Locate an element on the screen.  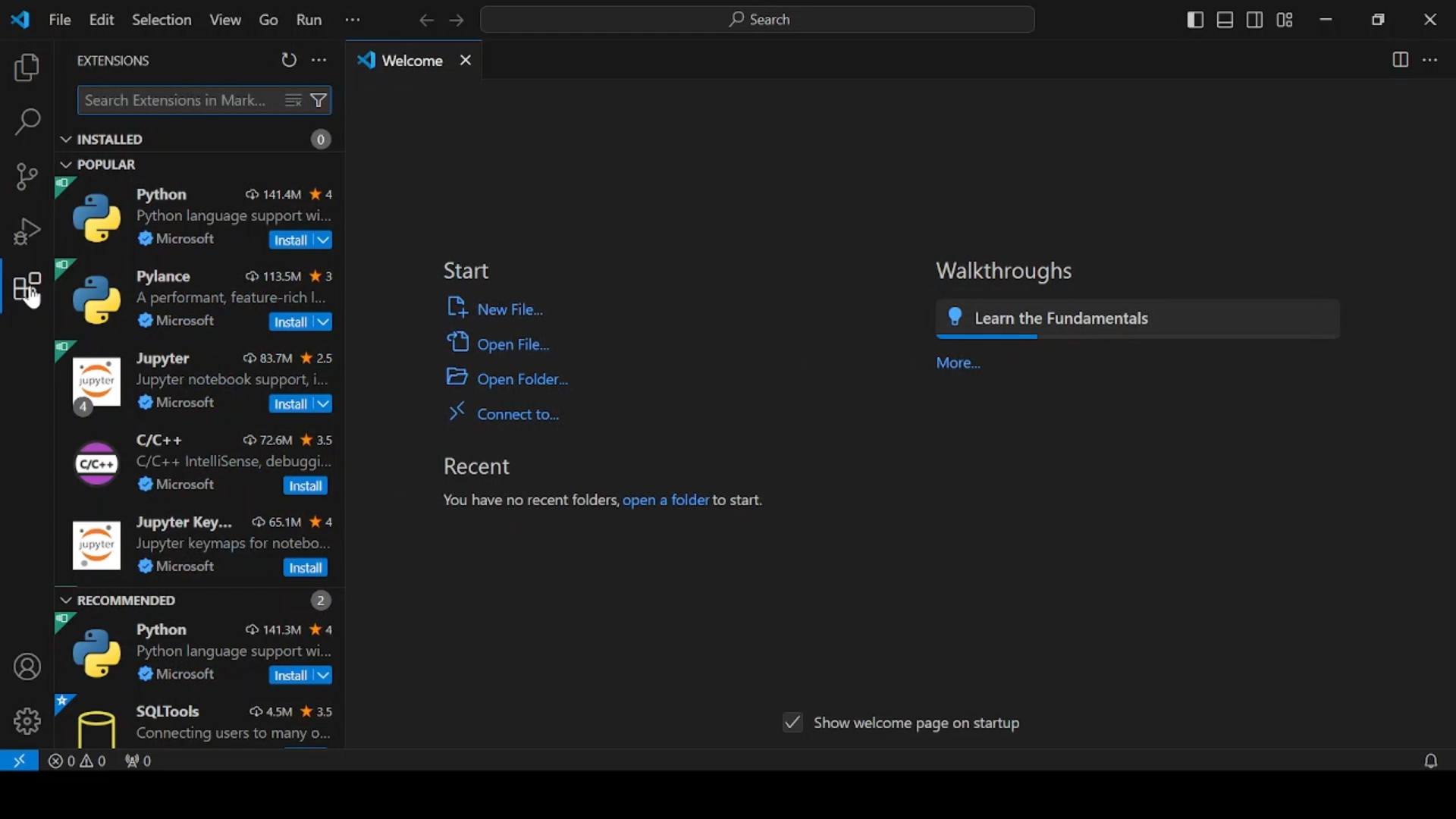
manage is located at coordinates (24, 723).